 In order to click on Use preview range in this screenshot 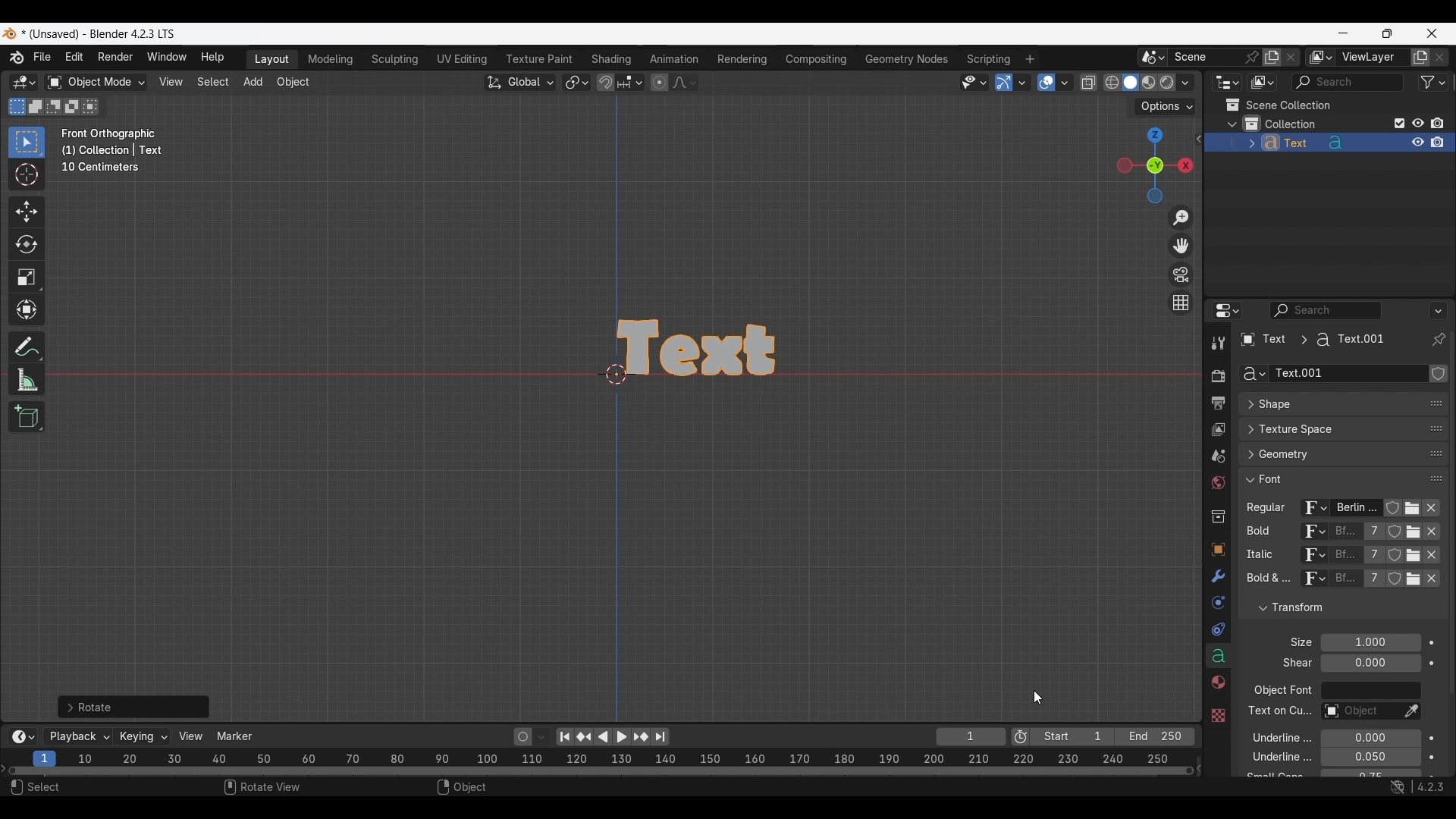, I will do `click(1021, 737)`.